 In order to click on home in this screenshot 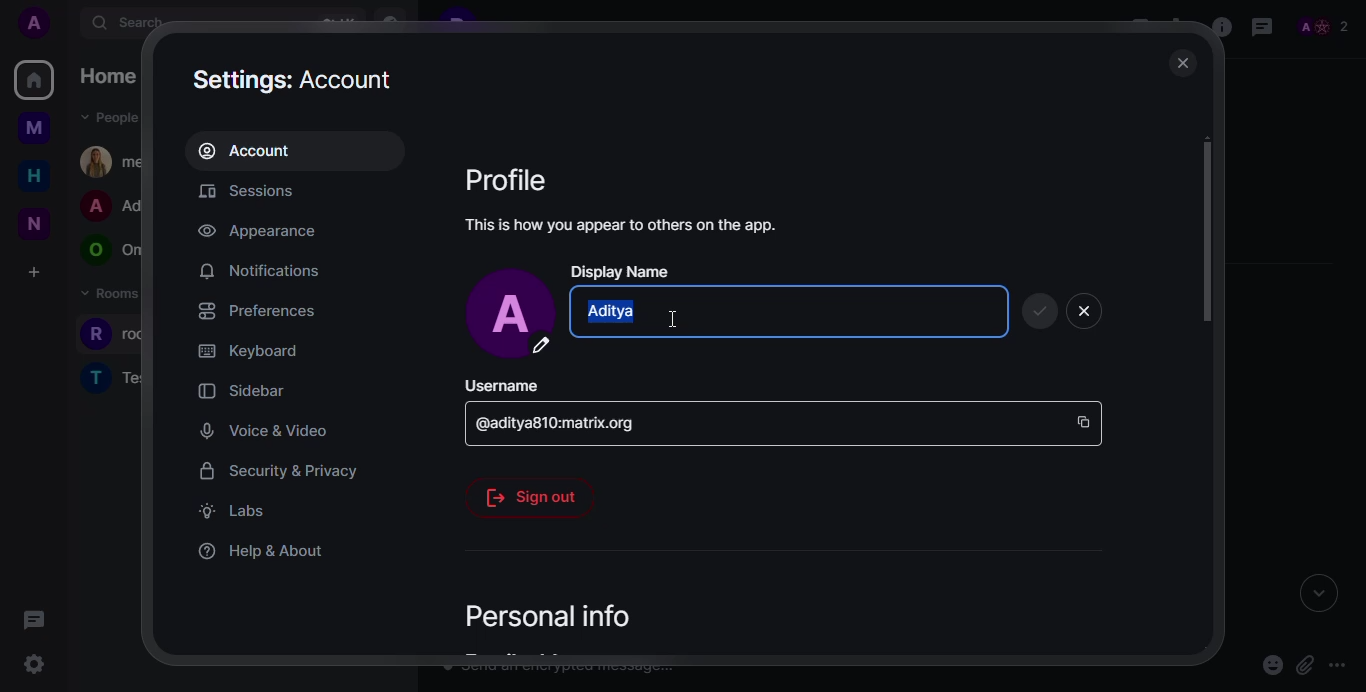, I will do `click(32, 176)`.